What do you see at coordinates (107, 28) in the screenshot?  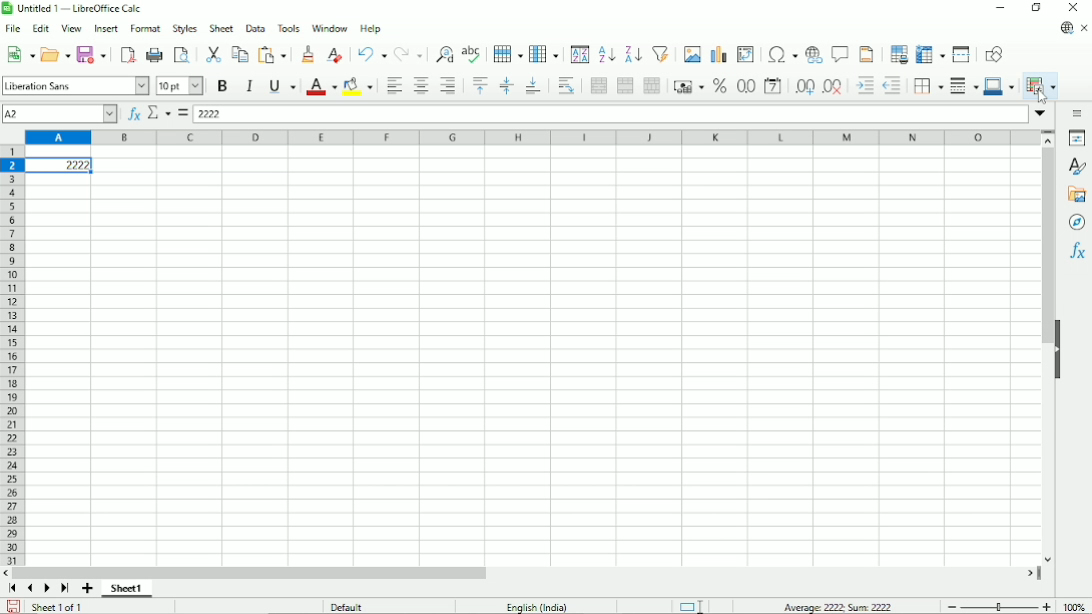 I see `Insert` at bounding box center [107, 28].